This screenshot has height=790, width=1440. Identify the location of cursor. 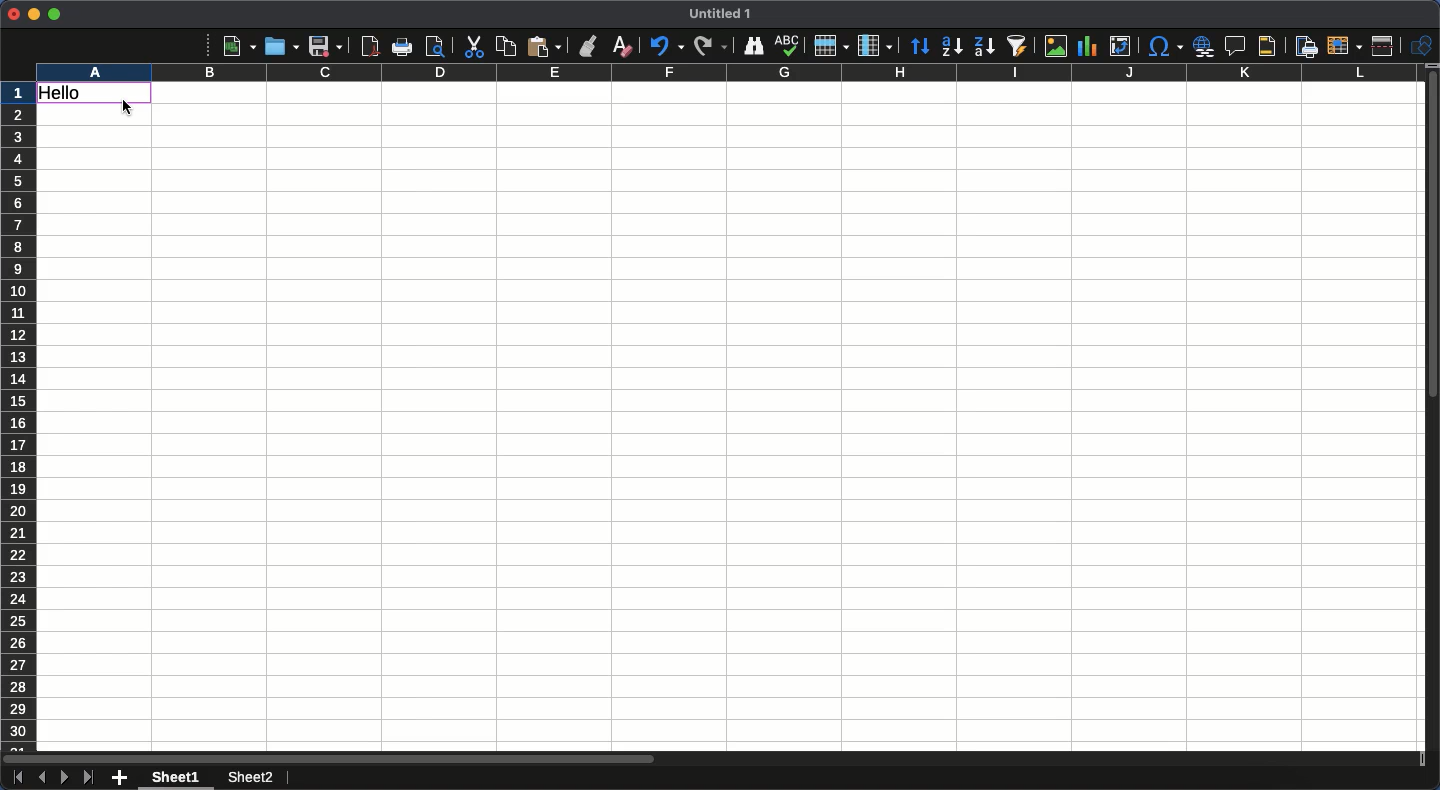
(130, 109).